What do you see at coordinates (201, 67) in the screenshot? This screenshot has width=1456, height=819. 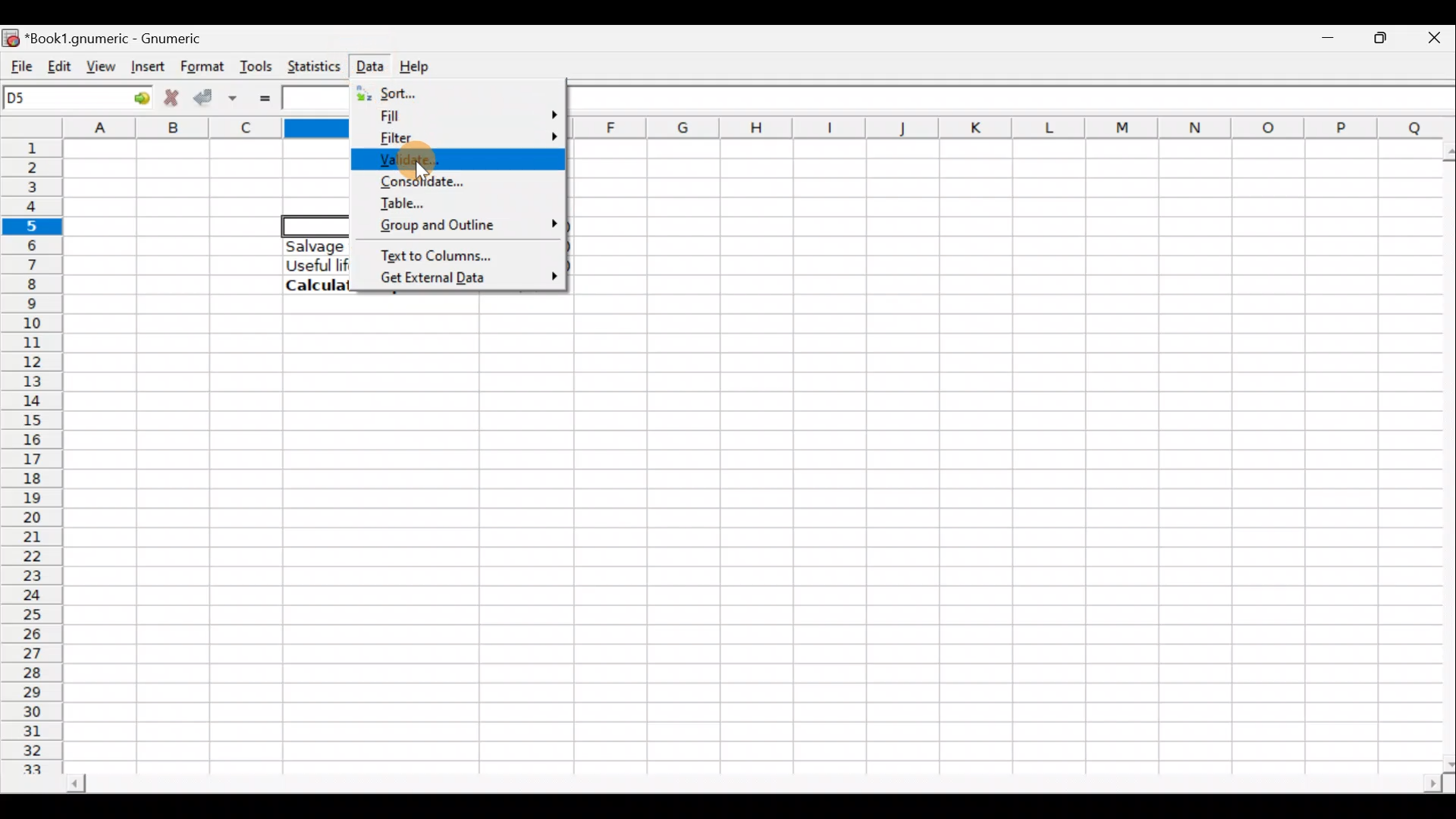 I see `Format` at bounding box center [201, 67].